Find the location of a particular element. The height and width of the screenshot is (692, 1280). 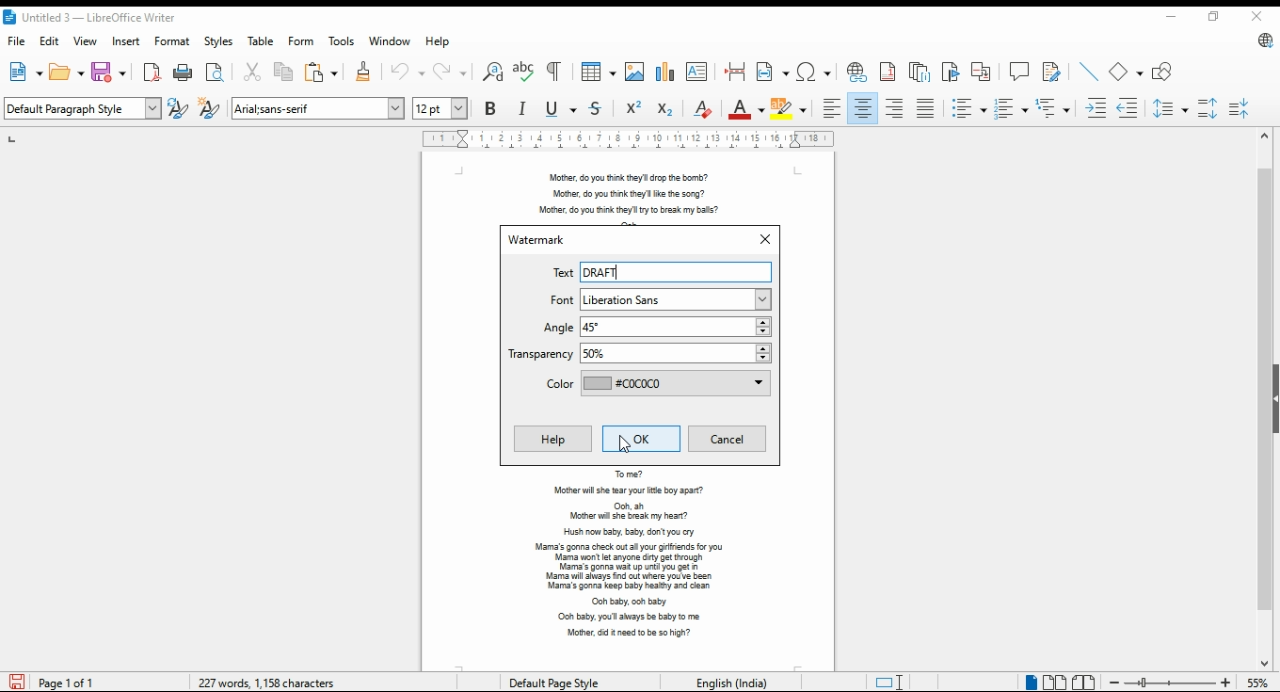

font size is located at coordinates (442, 108).